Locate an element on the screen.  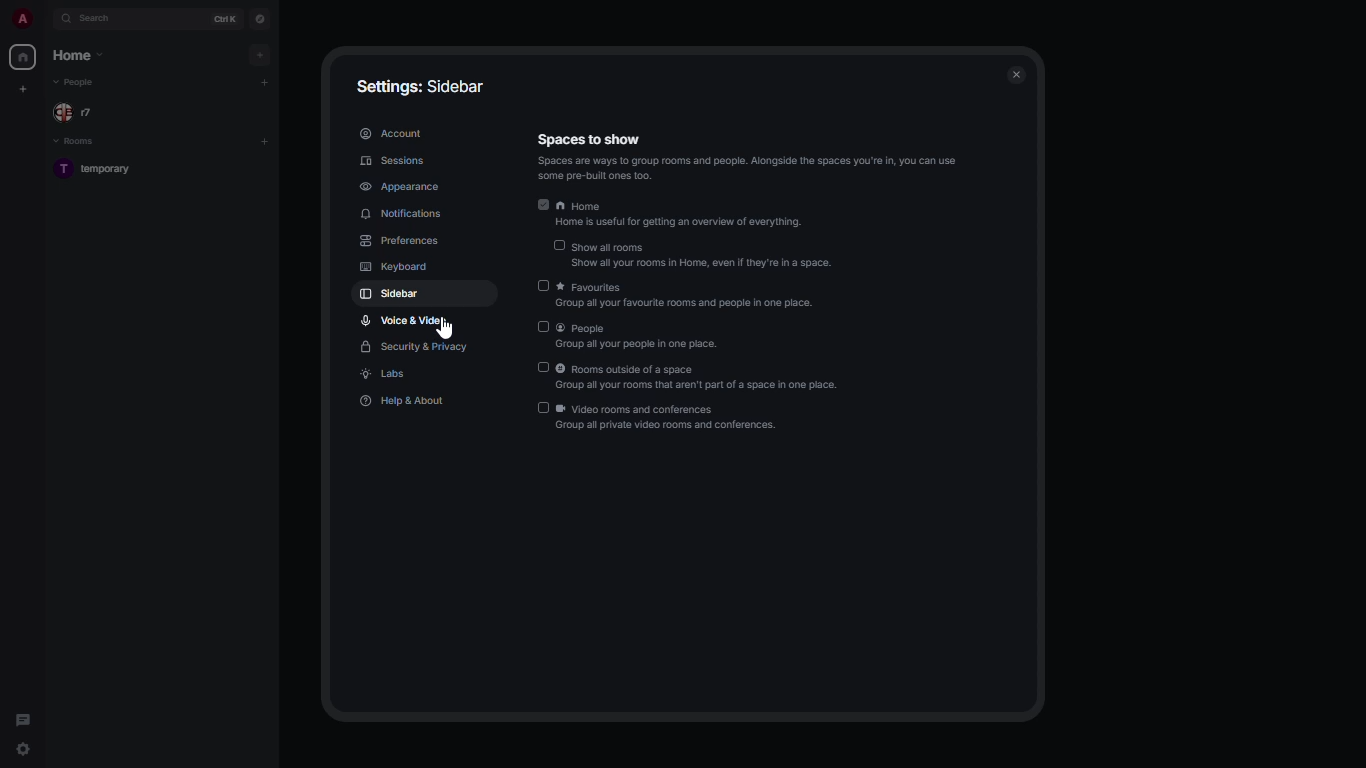
enabled is located at coordinates (543, 205).